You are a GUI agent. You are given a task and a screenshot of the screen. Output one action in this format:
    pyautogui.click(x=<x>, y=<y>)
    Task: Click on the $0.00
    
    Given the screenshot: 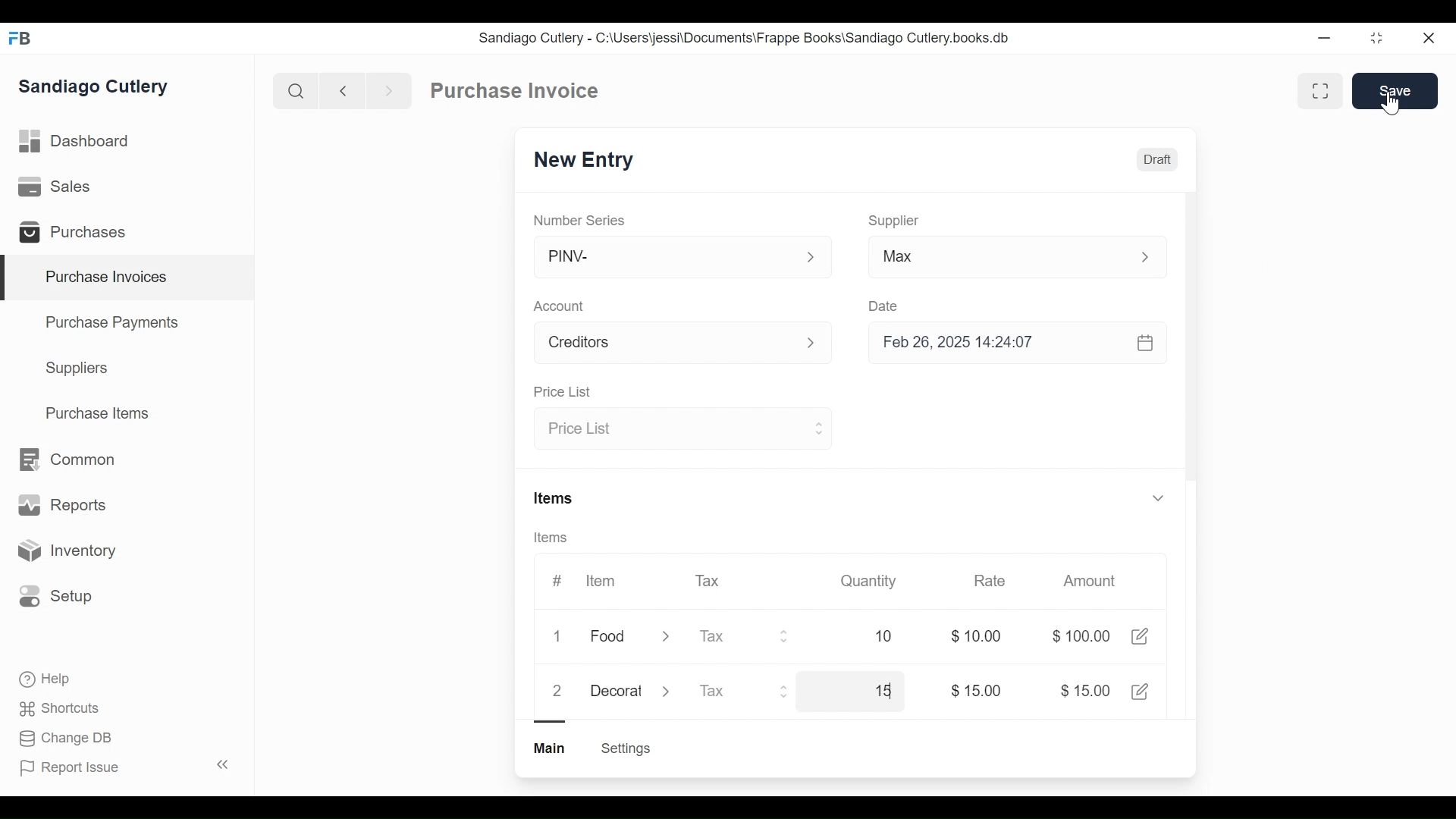 What is the action you would take?
    pyautogui.click(x=981, y=636)
    